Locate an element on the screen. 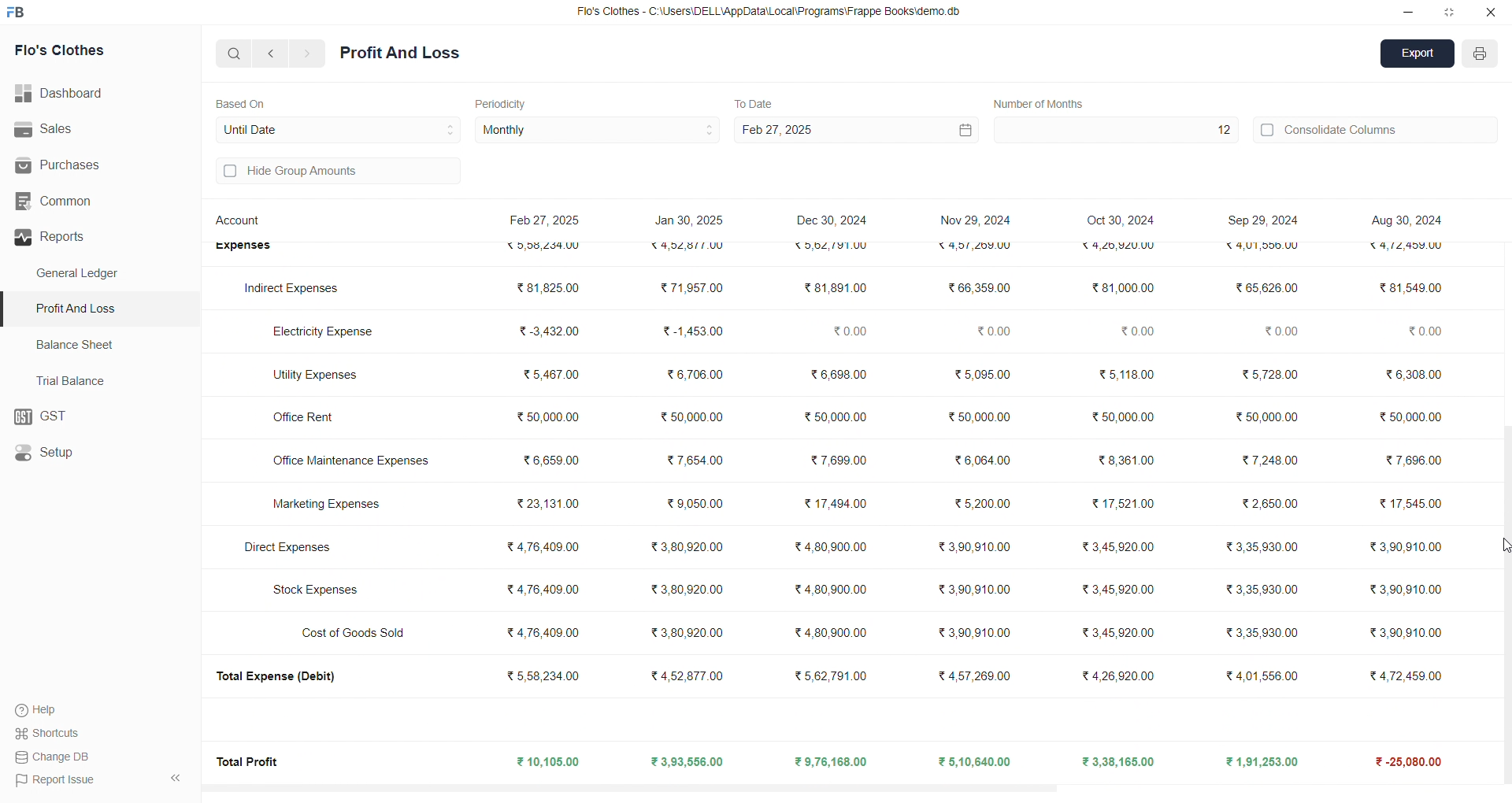 The image size is (1512, 803). ₹4,80,900.00 is located at coordinates (830, 548).